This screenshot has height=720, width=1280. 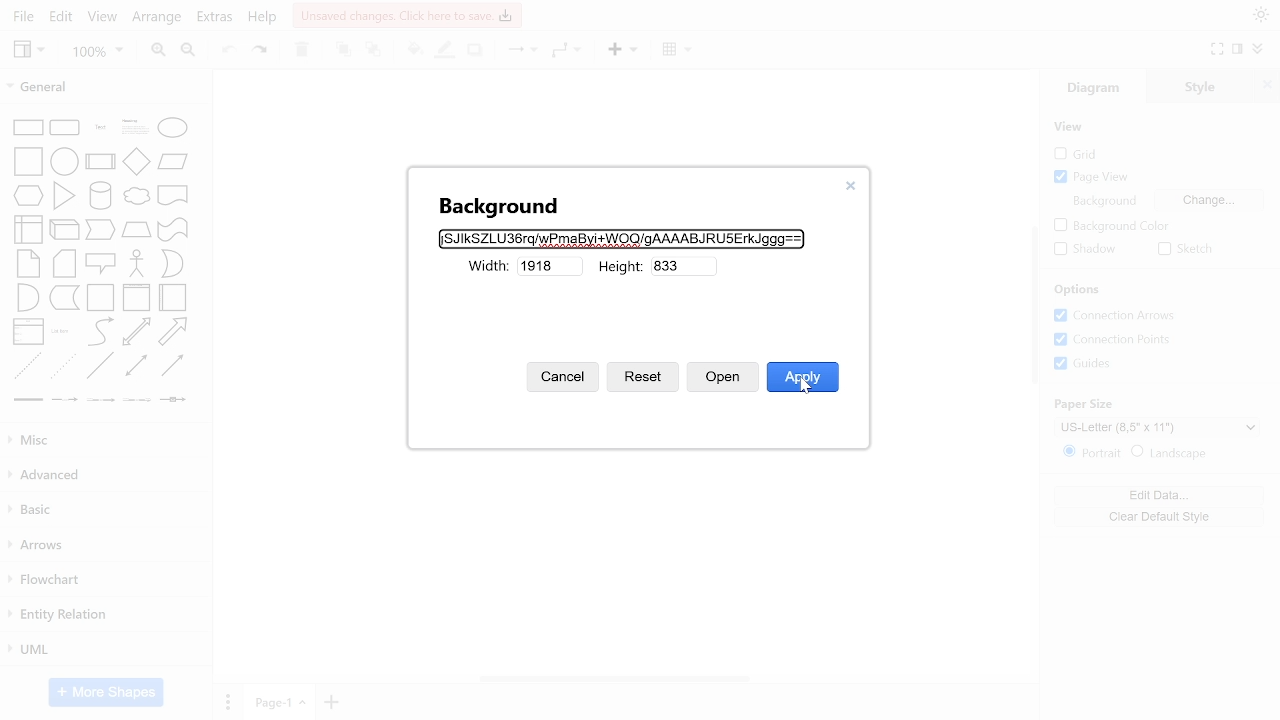 I want to click on general shapes, so click(x=95, y=125).